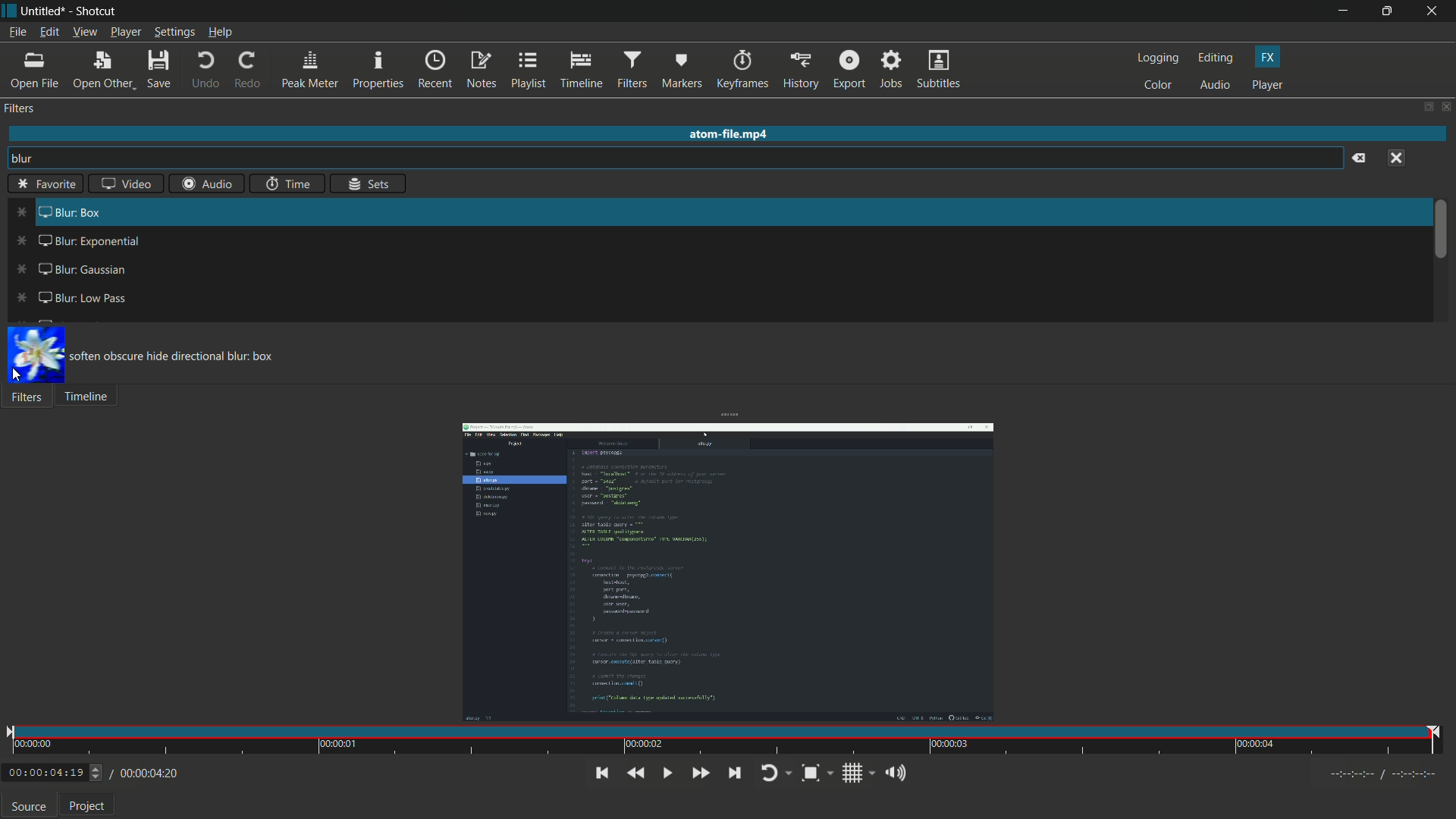  Describe the element at coordinates (579, 71) in the screenshot. I see `timeline` at that location.